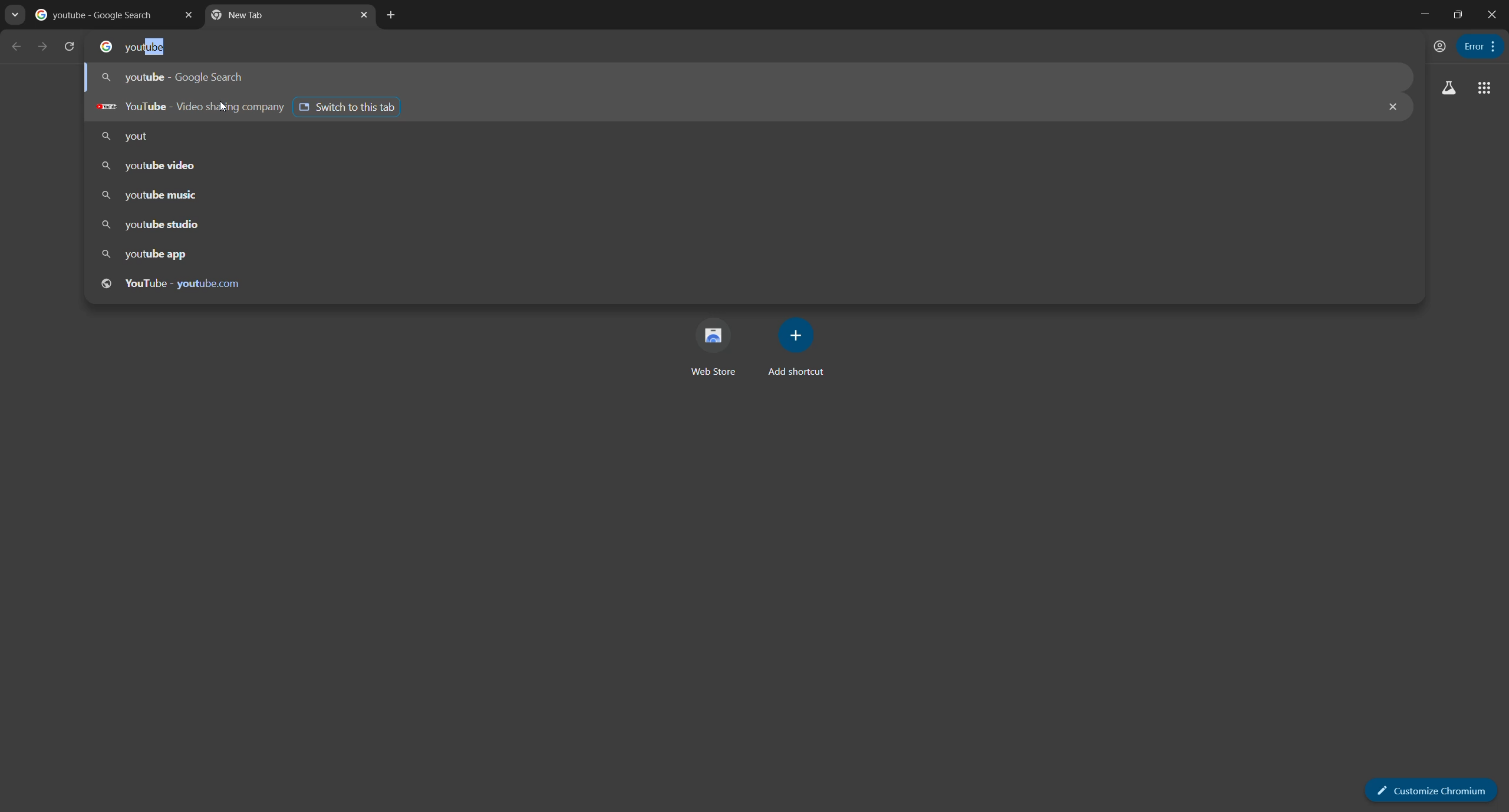  I want to click on minimize, so click(1423, 14).